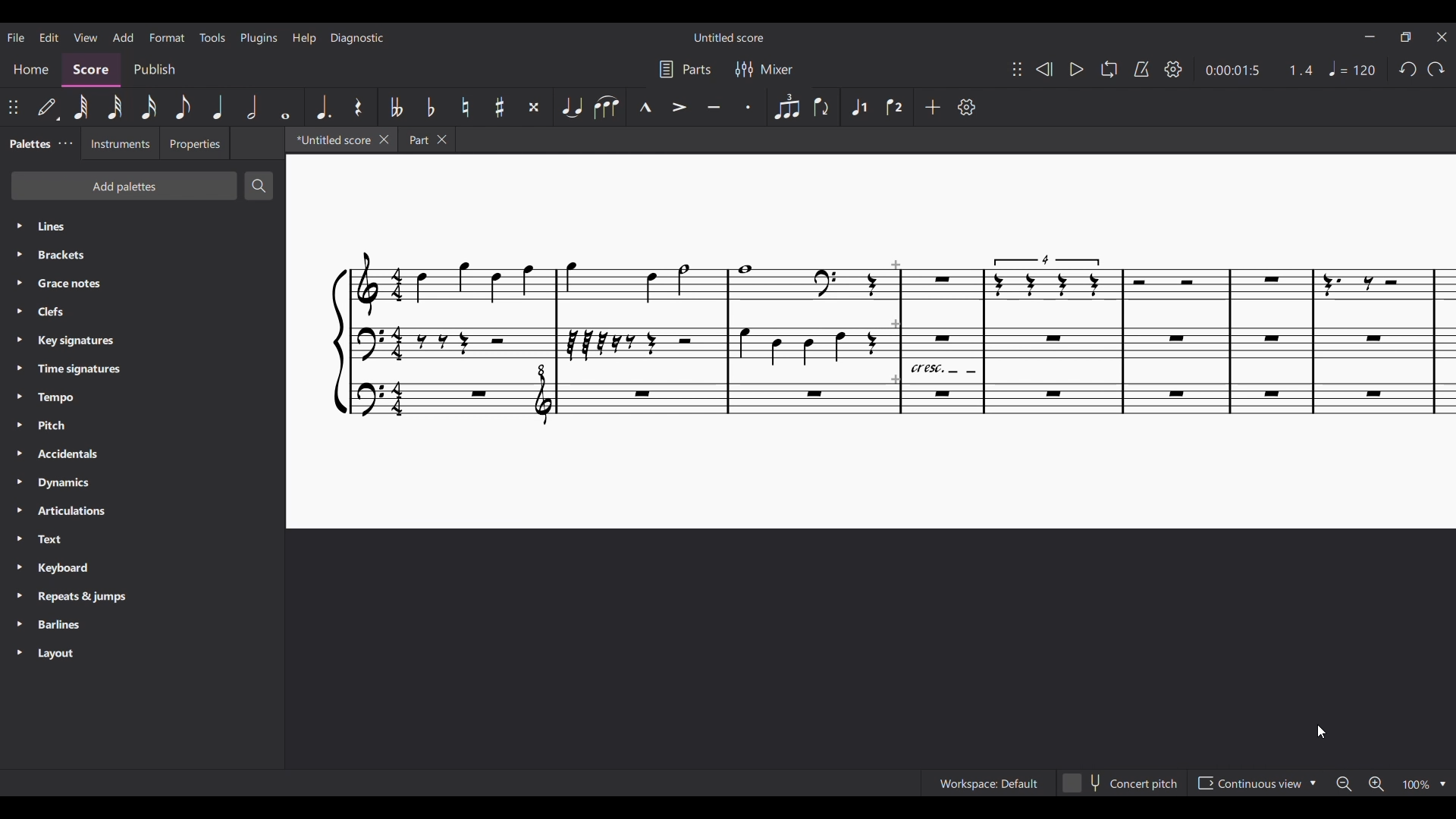 Image resolution: width=1456 pixels, height=819 pixels. I want to click on 8th note, so click(184, 108).